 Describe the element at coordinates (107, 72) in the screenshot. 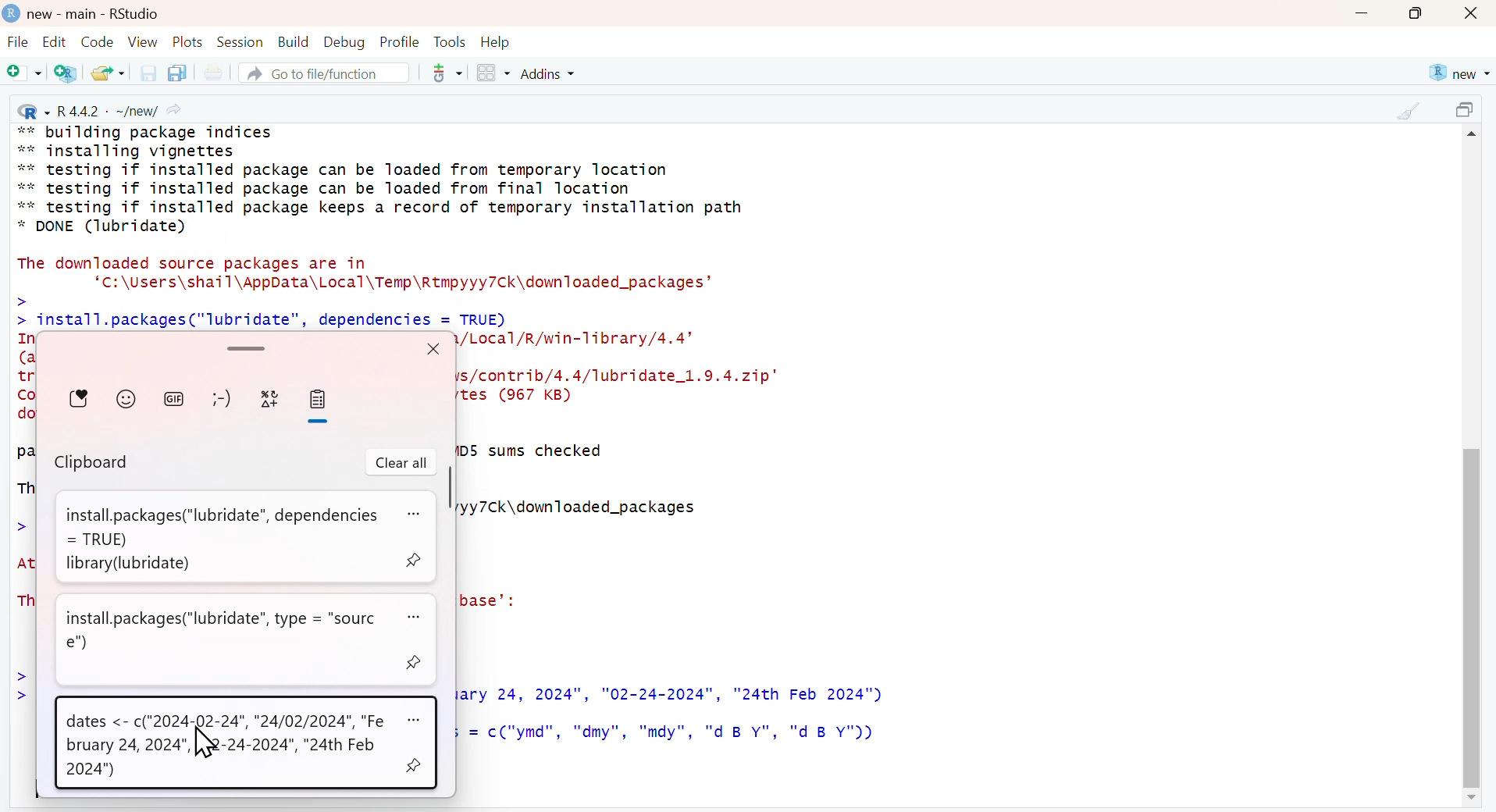

I see `open an existing file` at that location.